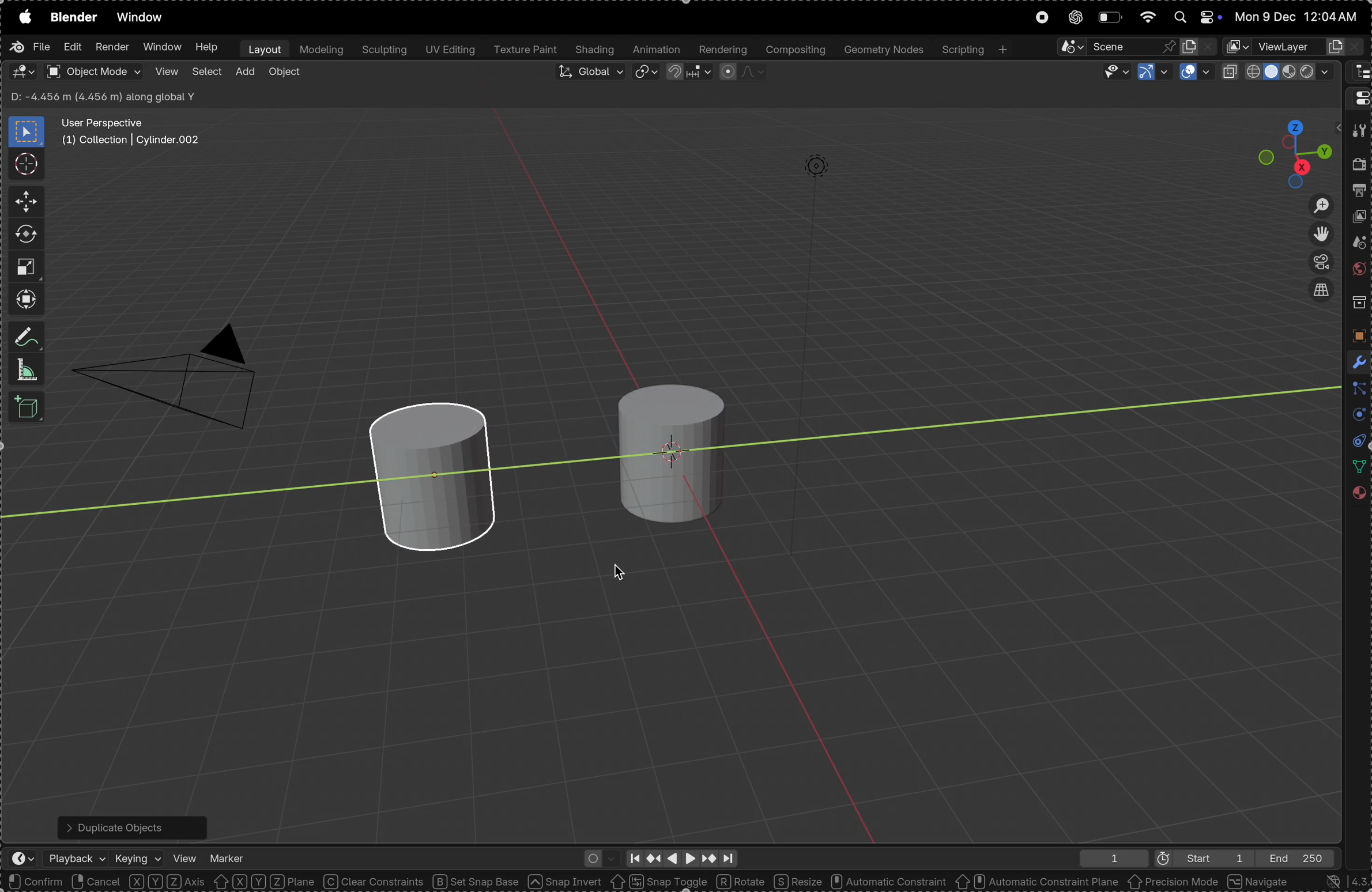  What do you see at coordinates (448, 51) in the screenshot?
I see `uv editing` at bounding box center [448, 51].